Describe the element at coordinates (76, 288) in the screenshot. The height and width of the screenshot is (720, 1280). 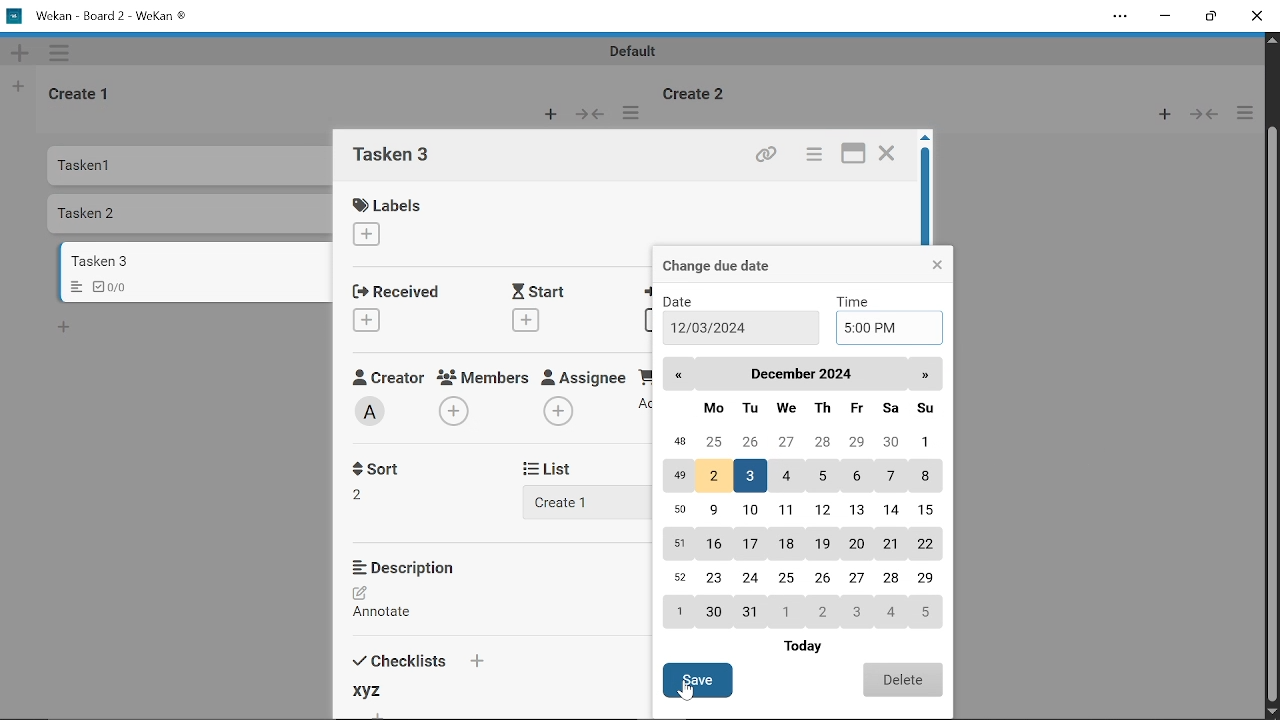
I see `Menu` at that location.